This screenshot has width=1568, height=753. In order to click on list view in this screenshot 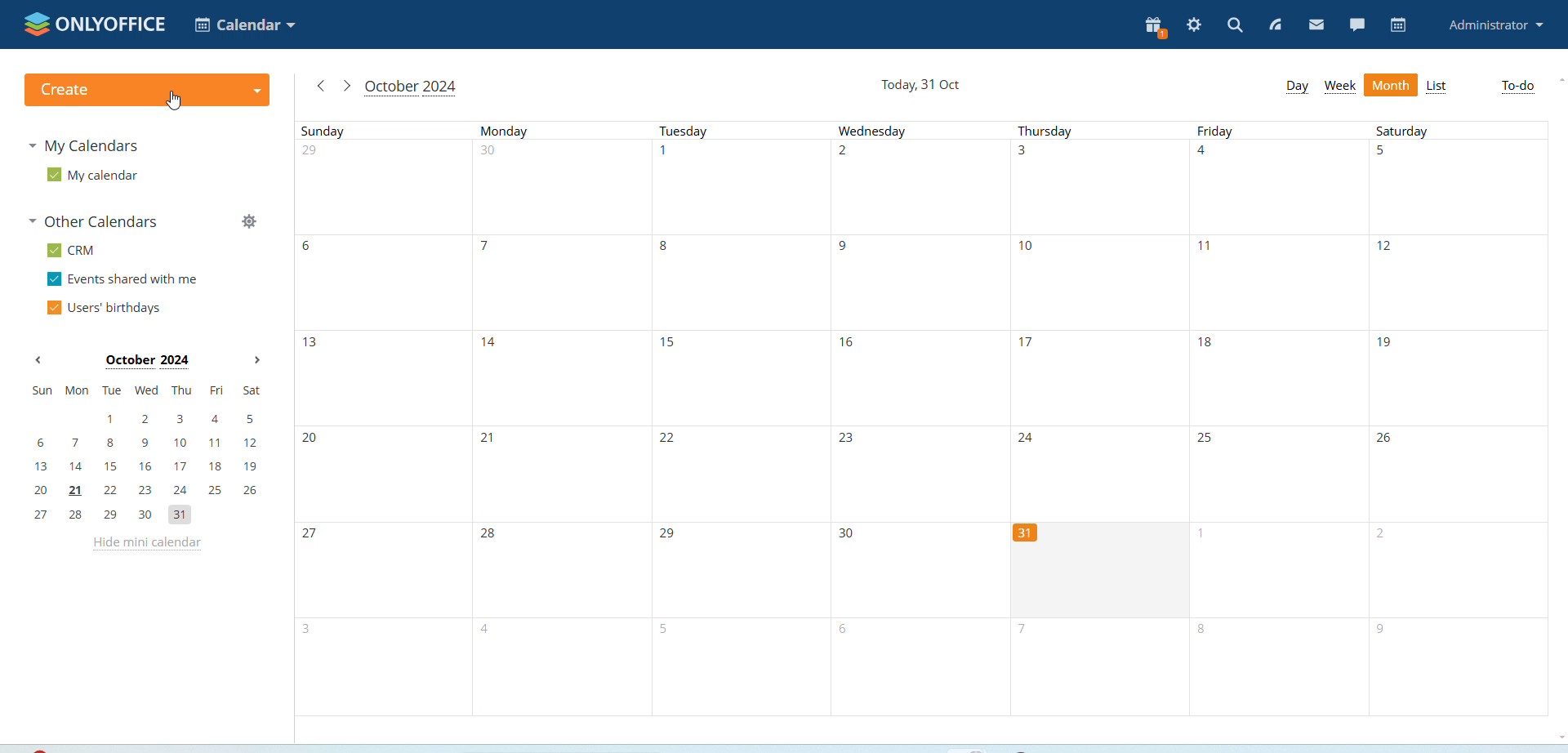, I will do `click(1437, 87)`.